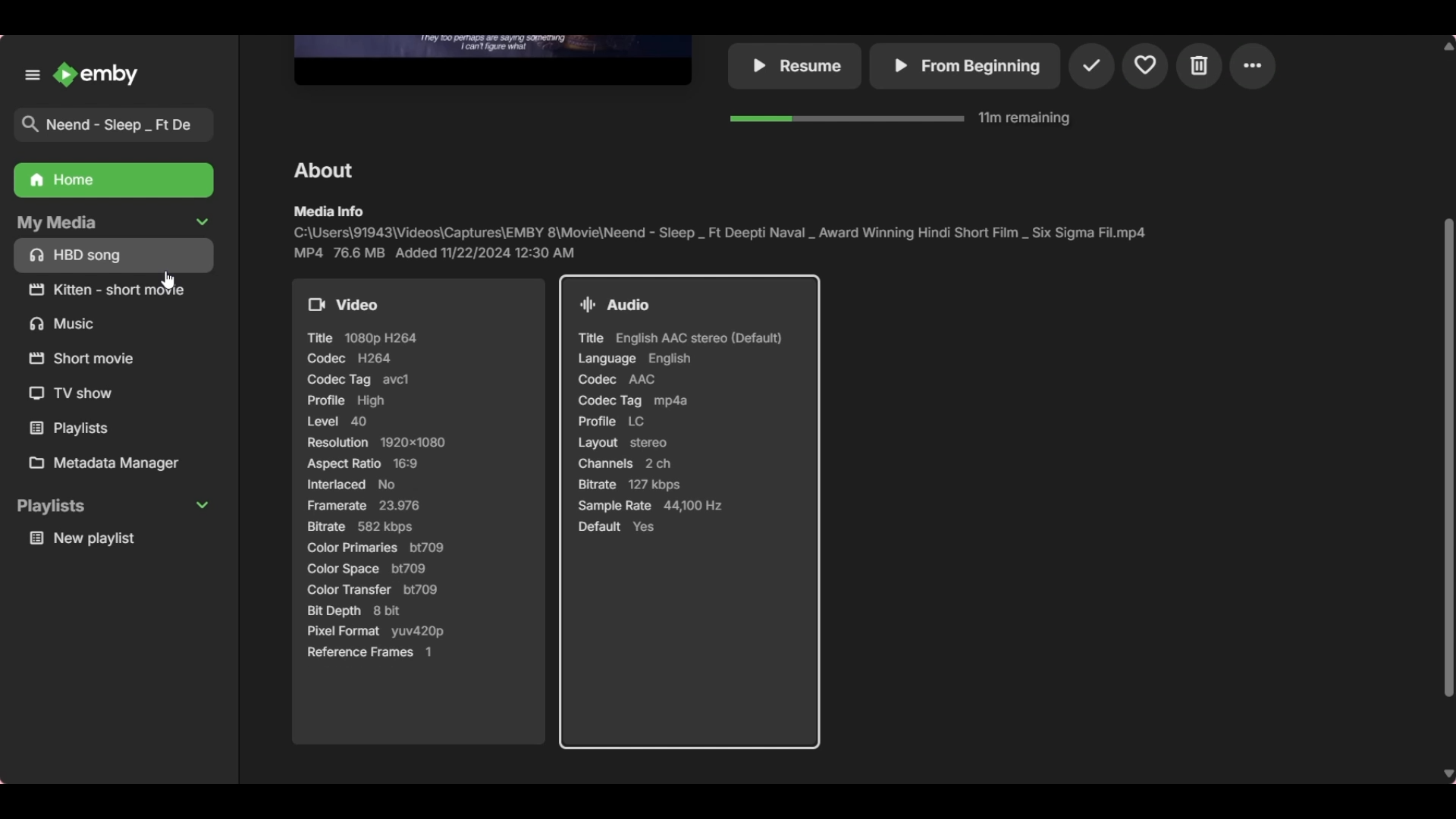 This screenshot has width=1456, height=819. I want to click on Title of selected search result, so click(120, 125).